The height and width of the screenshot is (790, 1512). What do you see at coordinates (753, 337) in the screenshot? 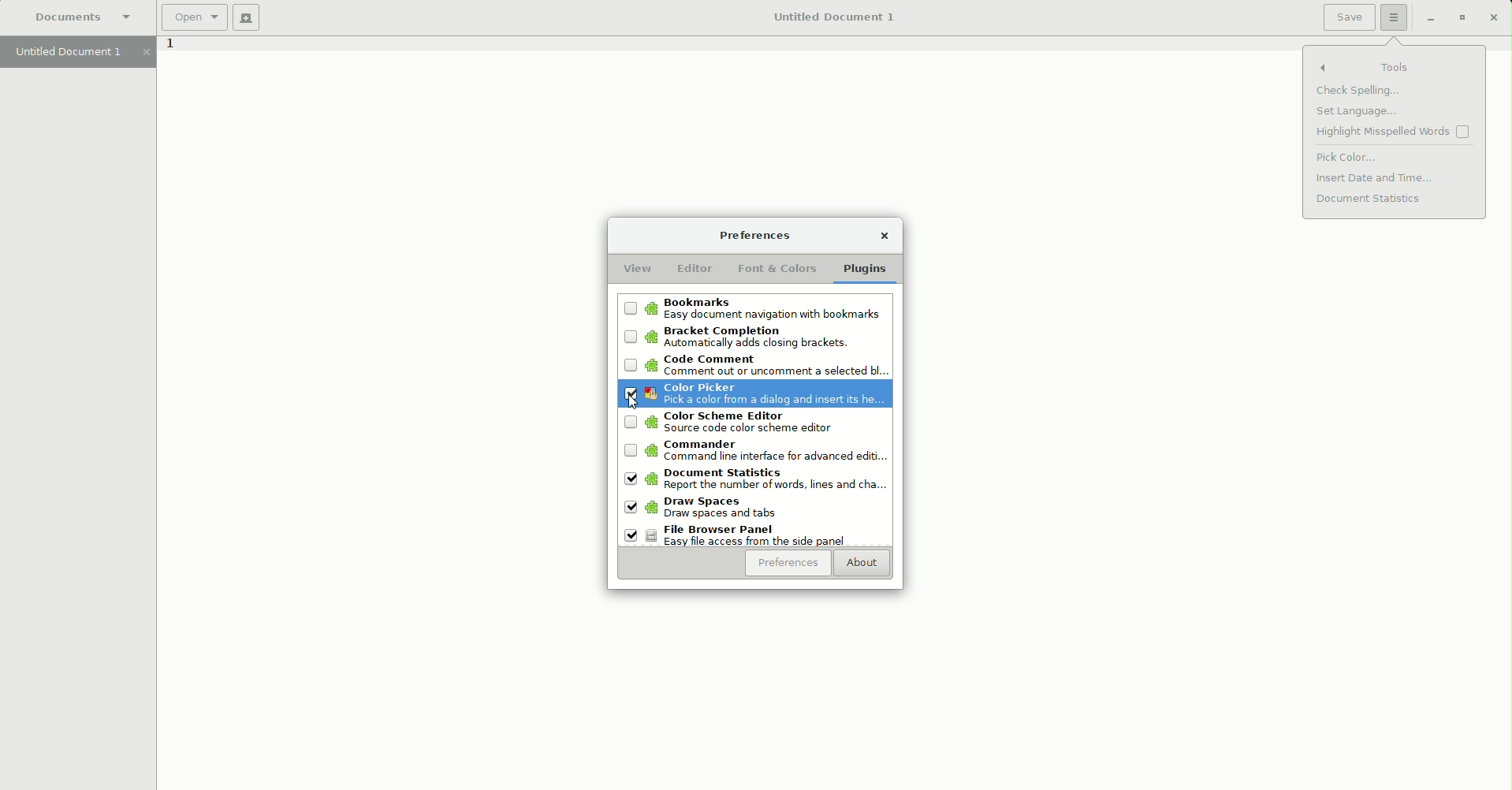
I see `Bracket completion: Automatically adds closing brackets` at bounding box center [753, 337].